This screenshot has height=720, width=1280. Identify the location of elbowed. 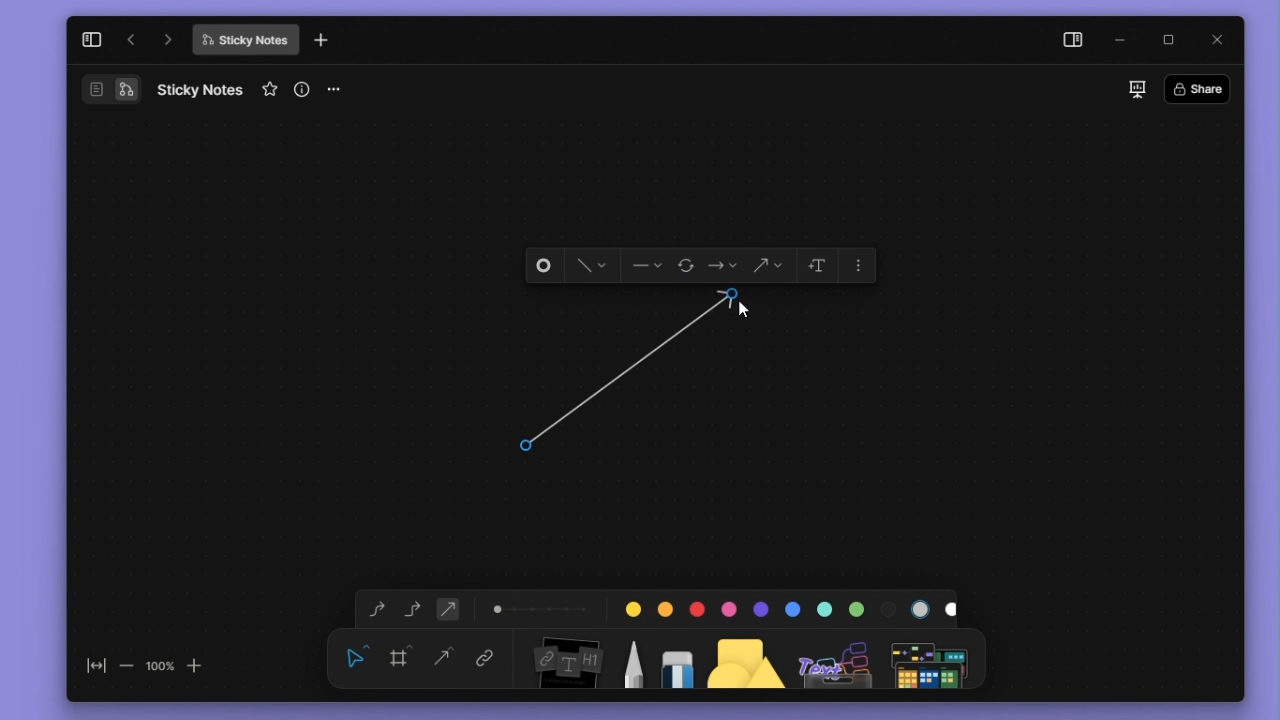
(413, 607).